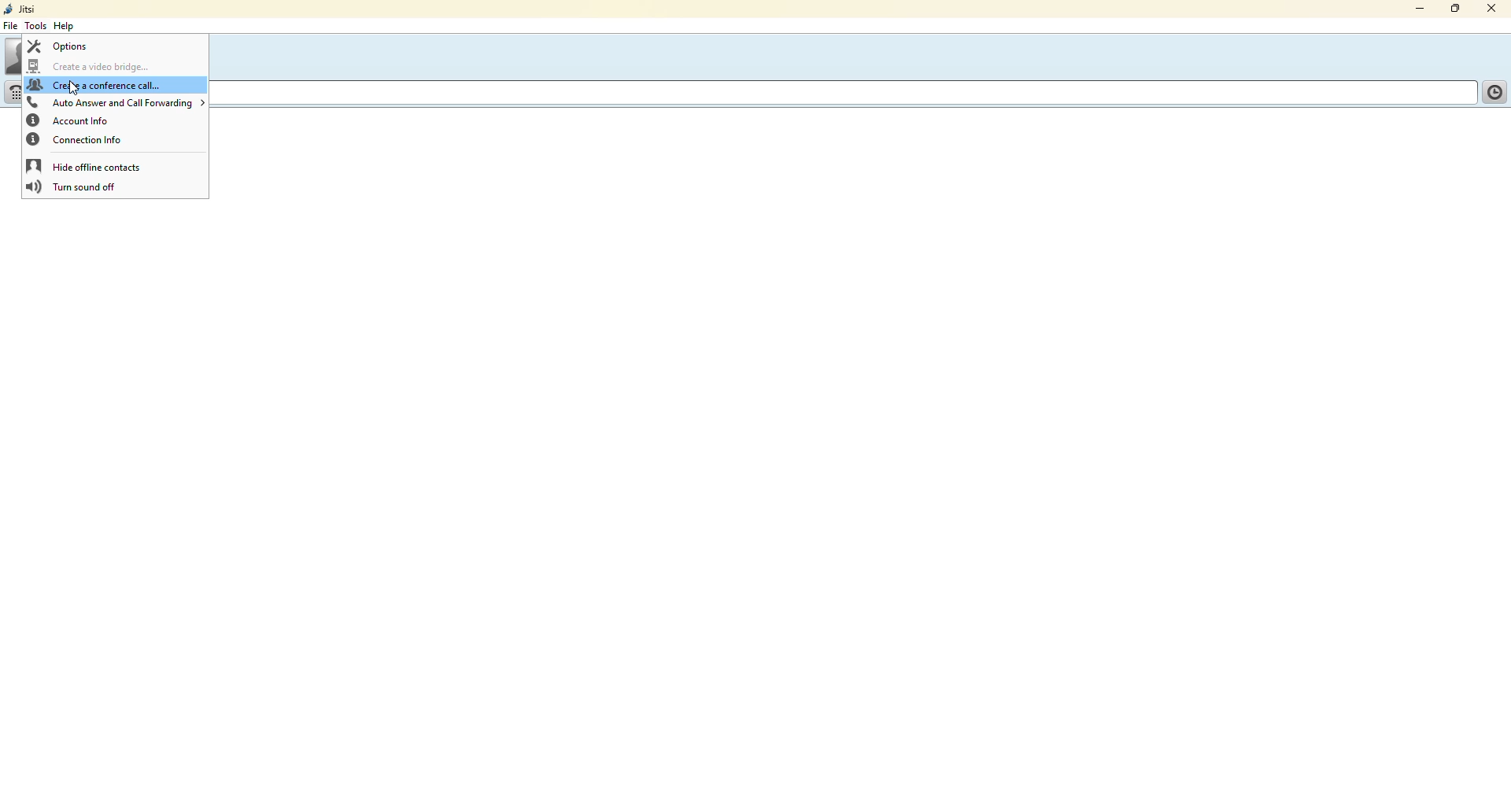 The image size is (1511, 812). Describe the element at coordinates (76, 139) in the screenshot. I see `connection info` at that location.